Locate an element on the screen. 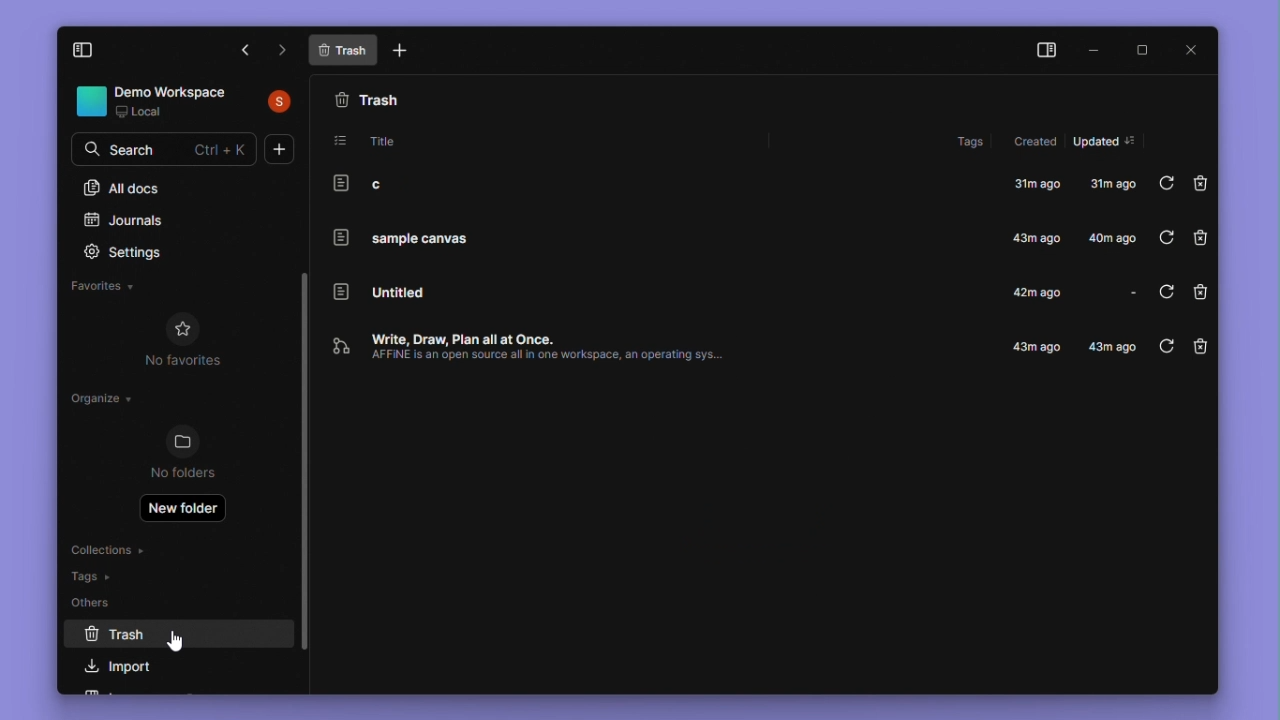 The image size is (1280, 720). Tags is located at coordinates (98, 576).